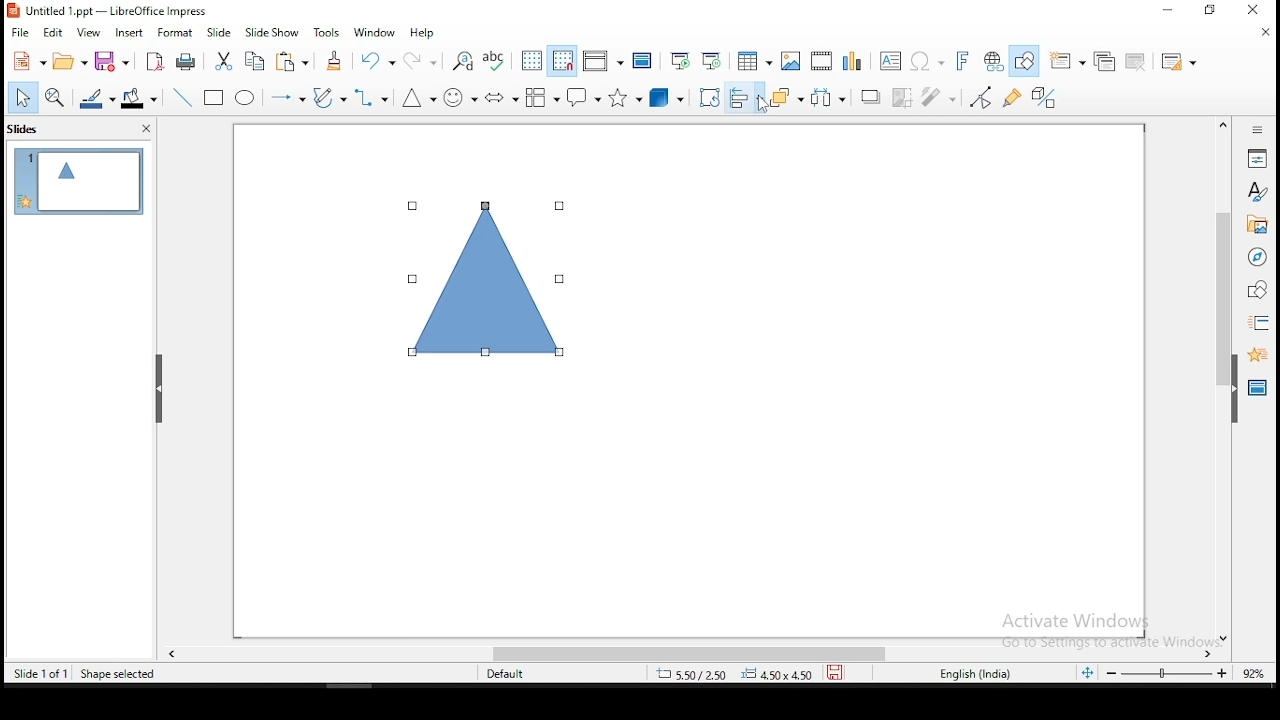  I want to click on block arrows, so click(501, 96).